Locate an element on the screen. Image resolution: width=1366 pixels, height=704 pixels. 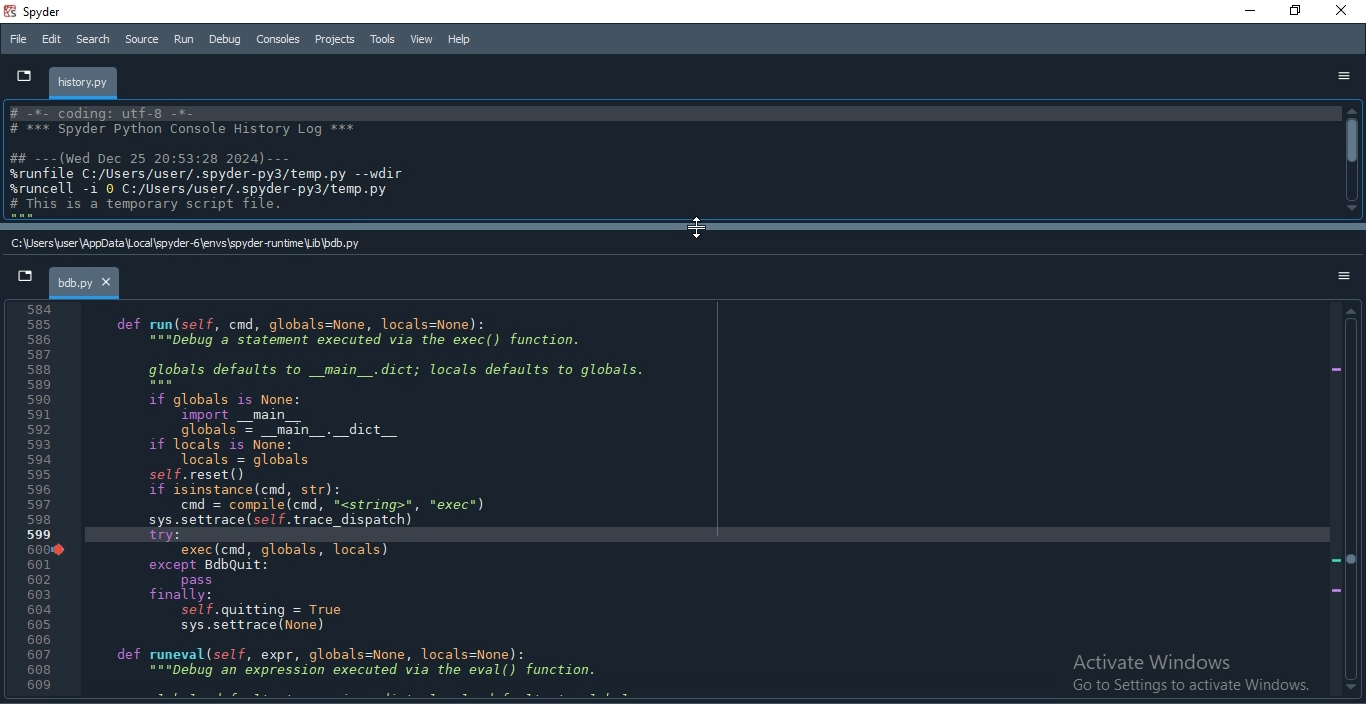
serial number is located at coordinates (35, 499).